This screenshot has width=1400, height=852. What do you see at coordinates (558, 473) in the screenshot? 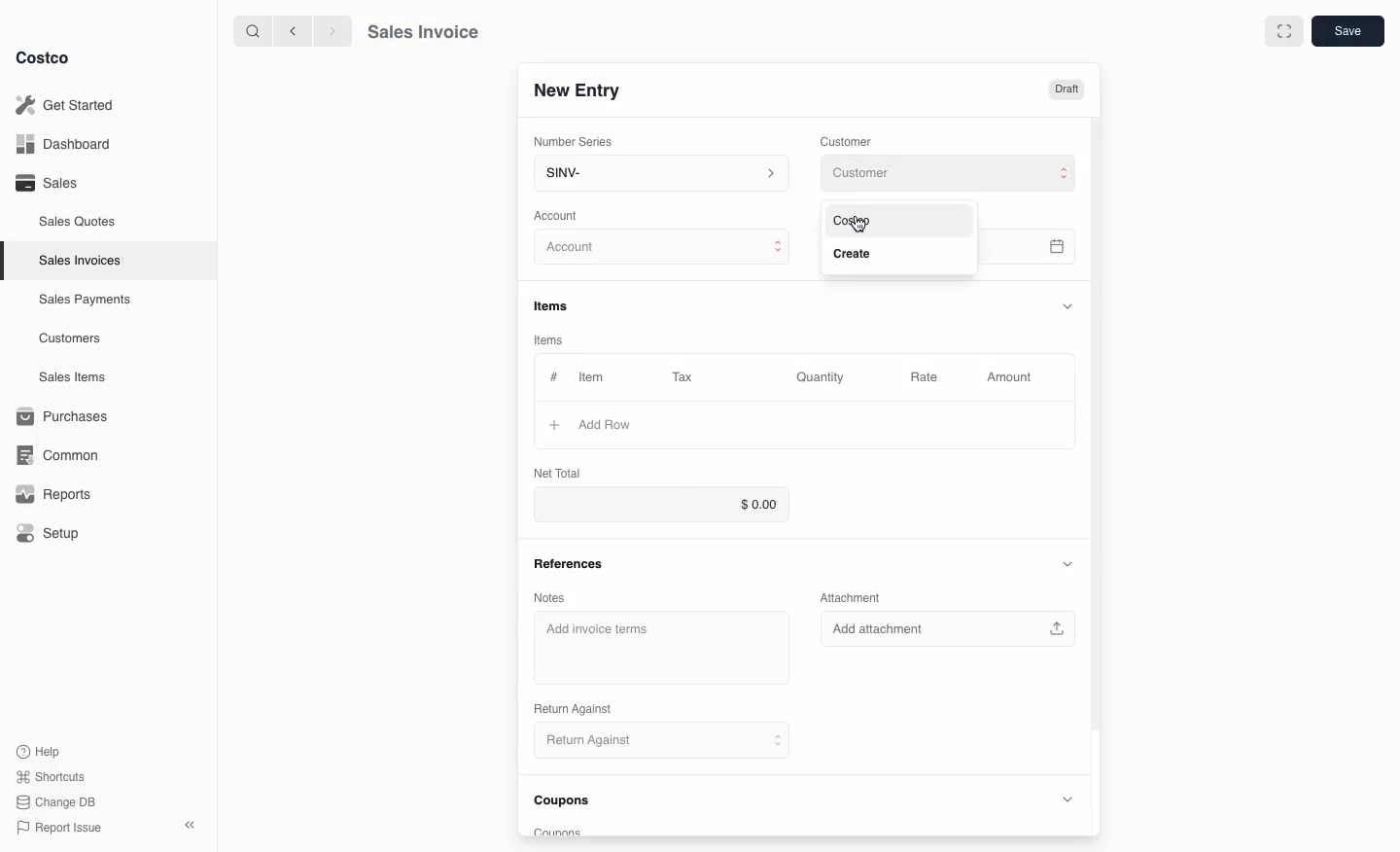
I see `Net Total` at bounding box center [558, 473].